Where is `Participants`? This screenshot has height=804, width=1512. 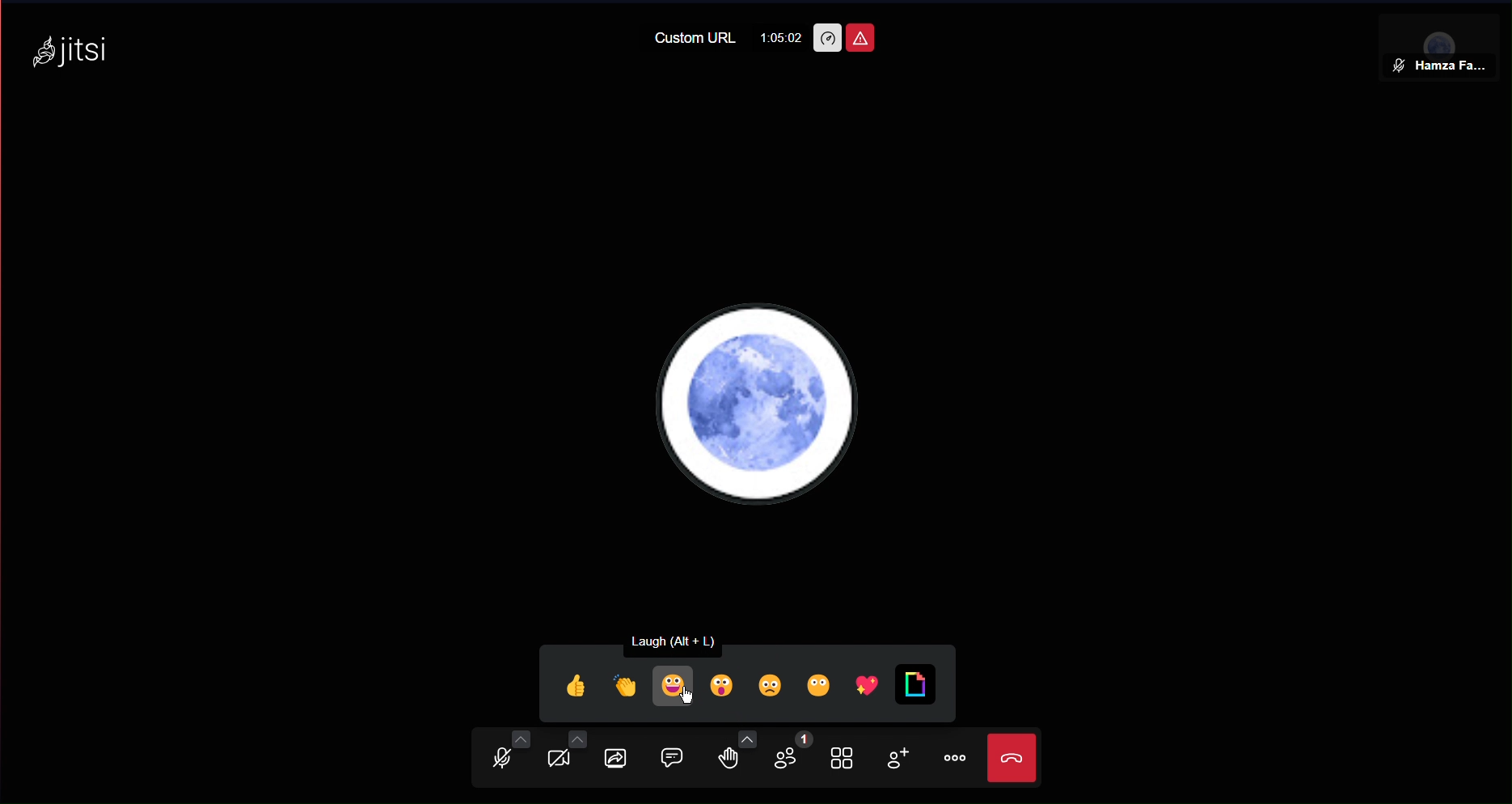 Participants is located at coordinates (797, 757).